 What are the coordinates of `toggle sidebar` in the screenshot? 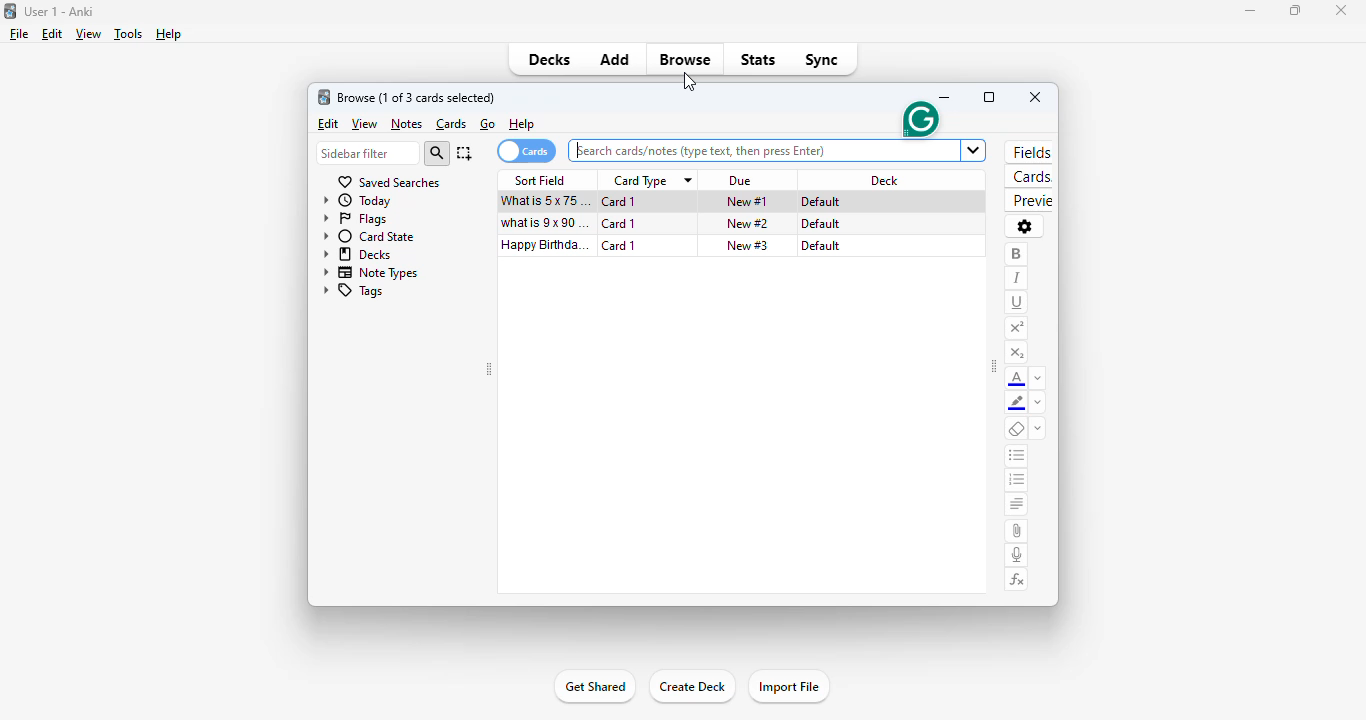 It's located at (489, 369).